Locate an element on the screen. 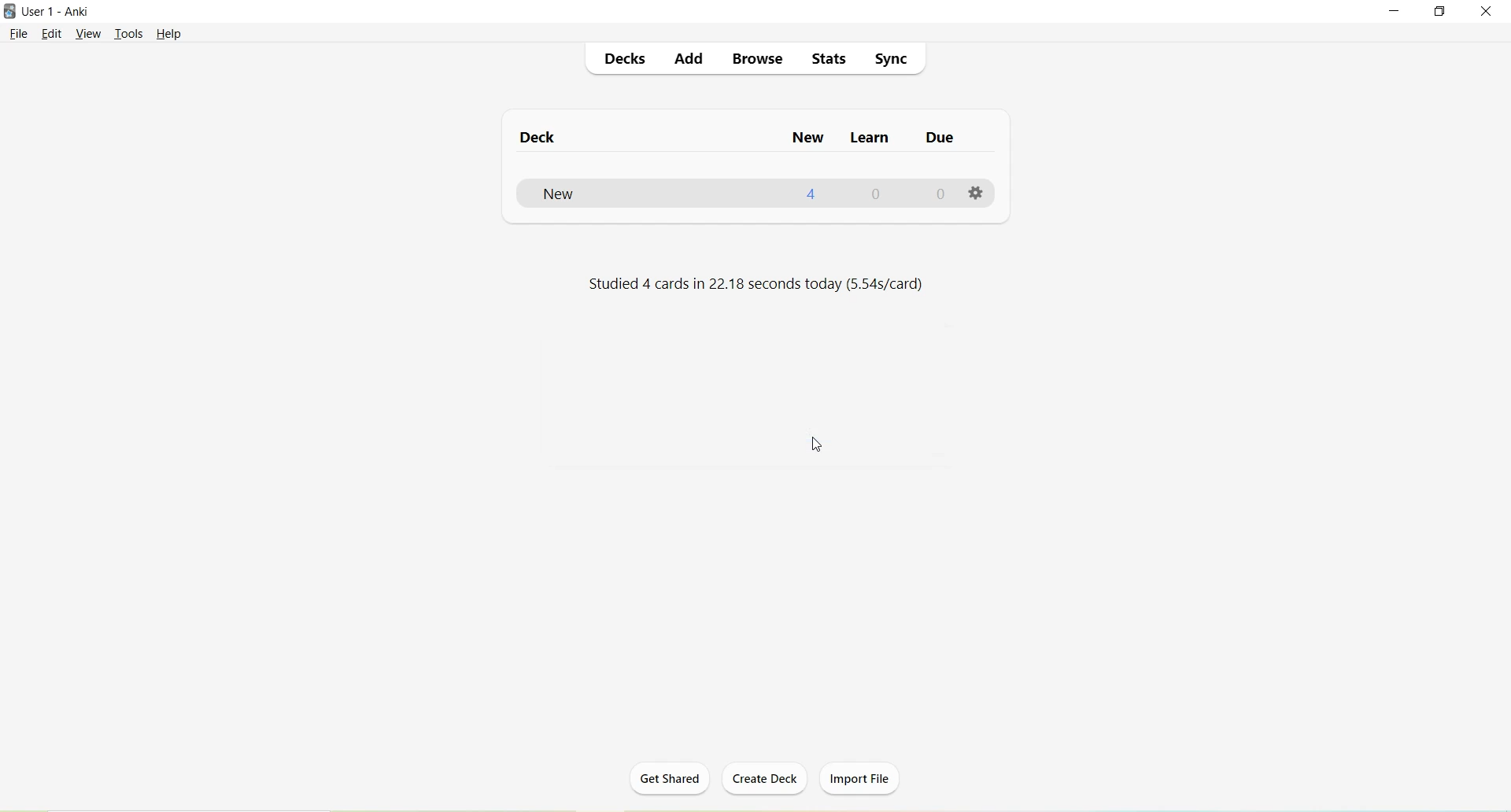  Learn is located at coordinates (866, 139).